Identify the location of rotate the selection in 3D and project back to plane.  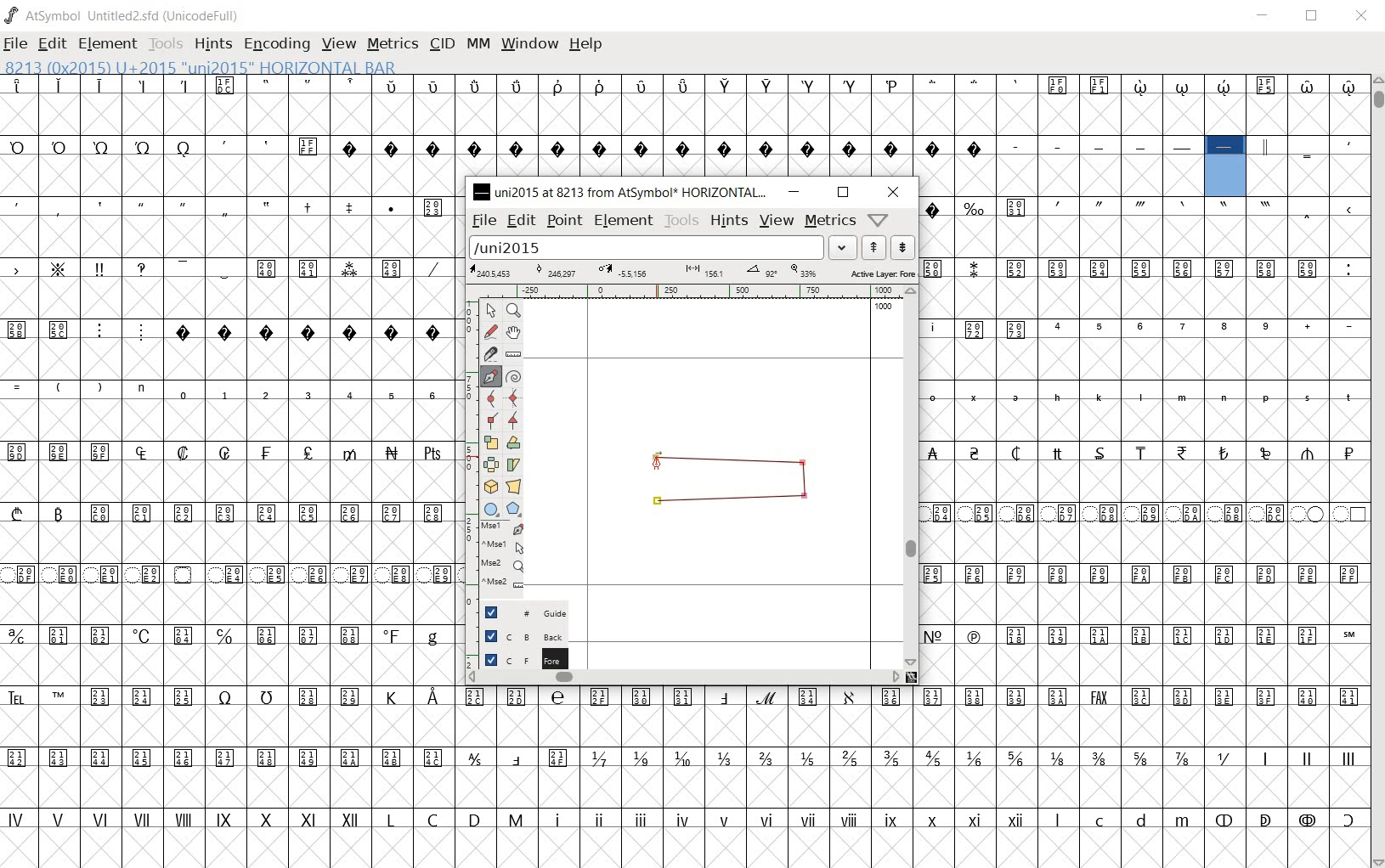
(489, 486).